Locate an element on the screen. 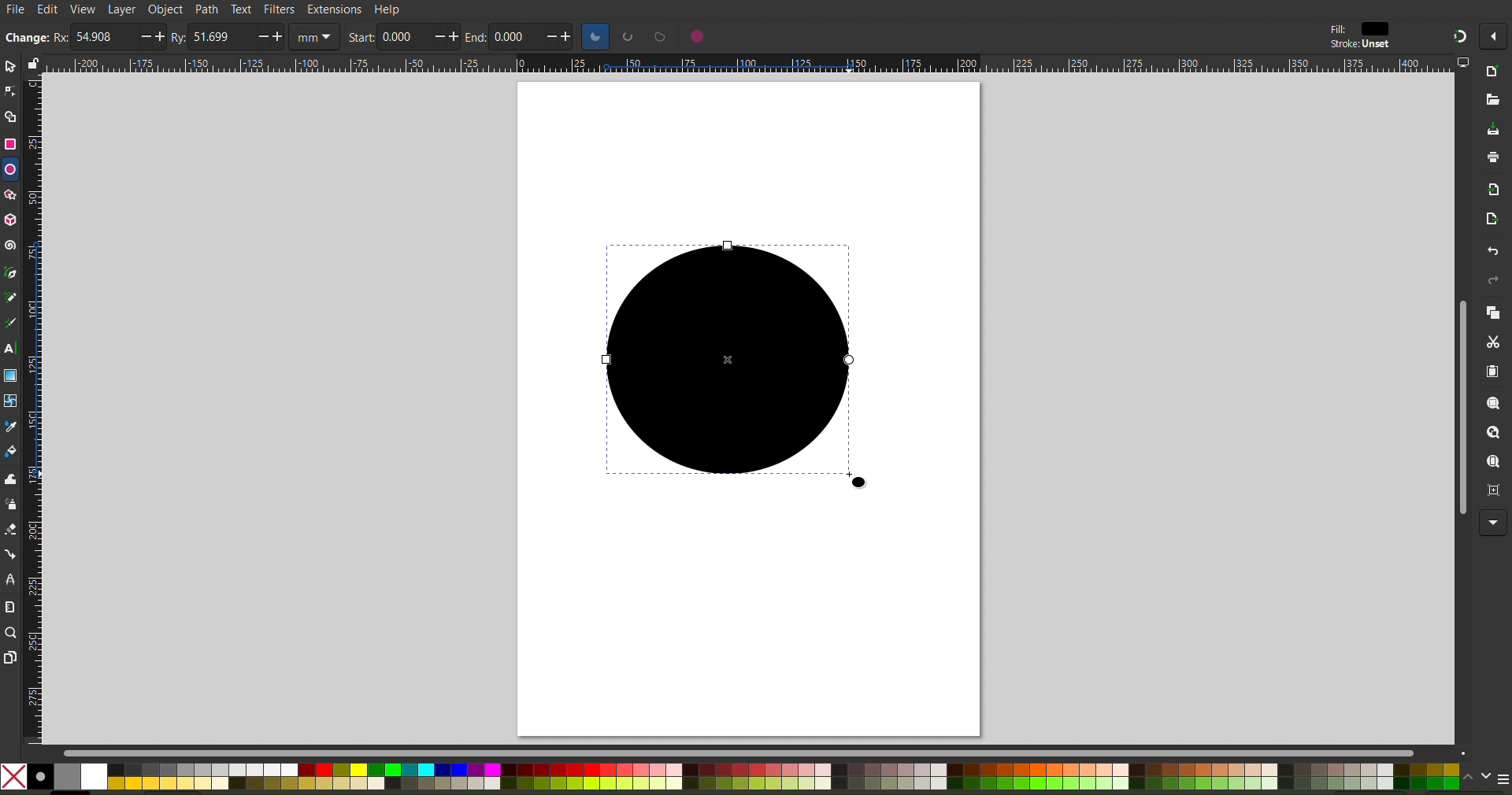  Ellipse is located at coordinates (11, 170).